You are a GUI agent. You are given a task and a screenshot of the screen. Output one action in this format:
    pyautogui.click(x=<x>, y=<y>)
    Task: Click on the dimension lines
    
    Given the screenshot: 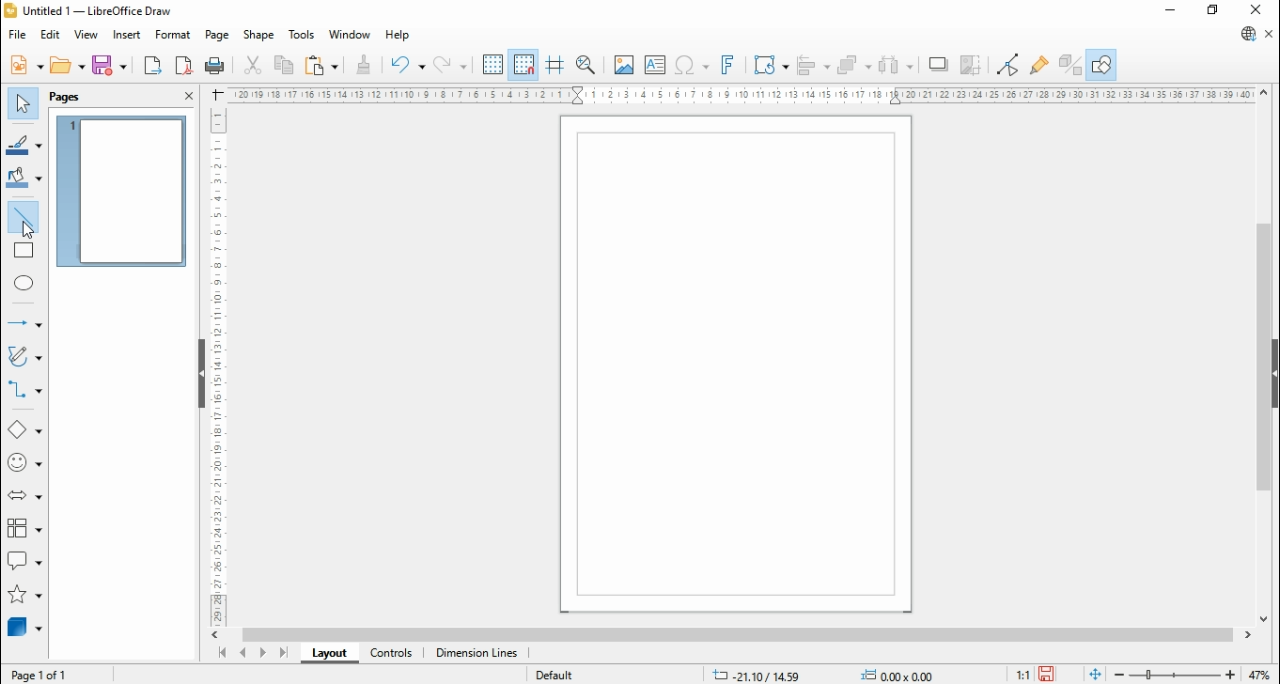 What is the action you would take?
    pyautogui.click(x=477, y=654)
    